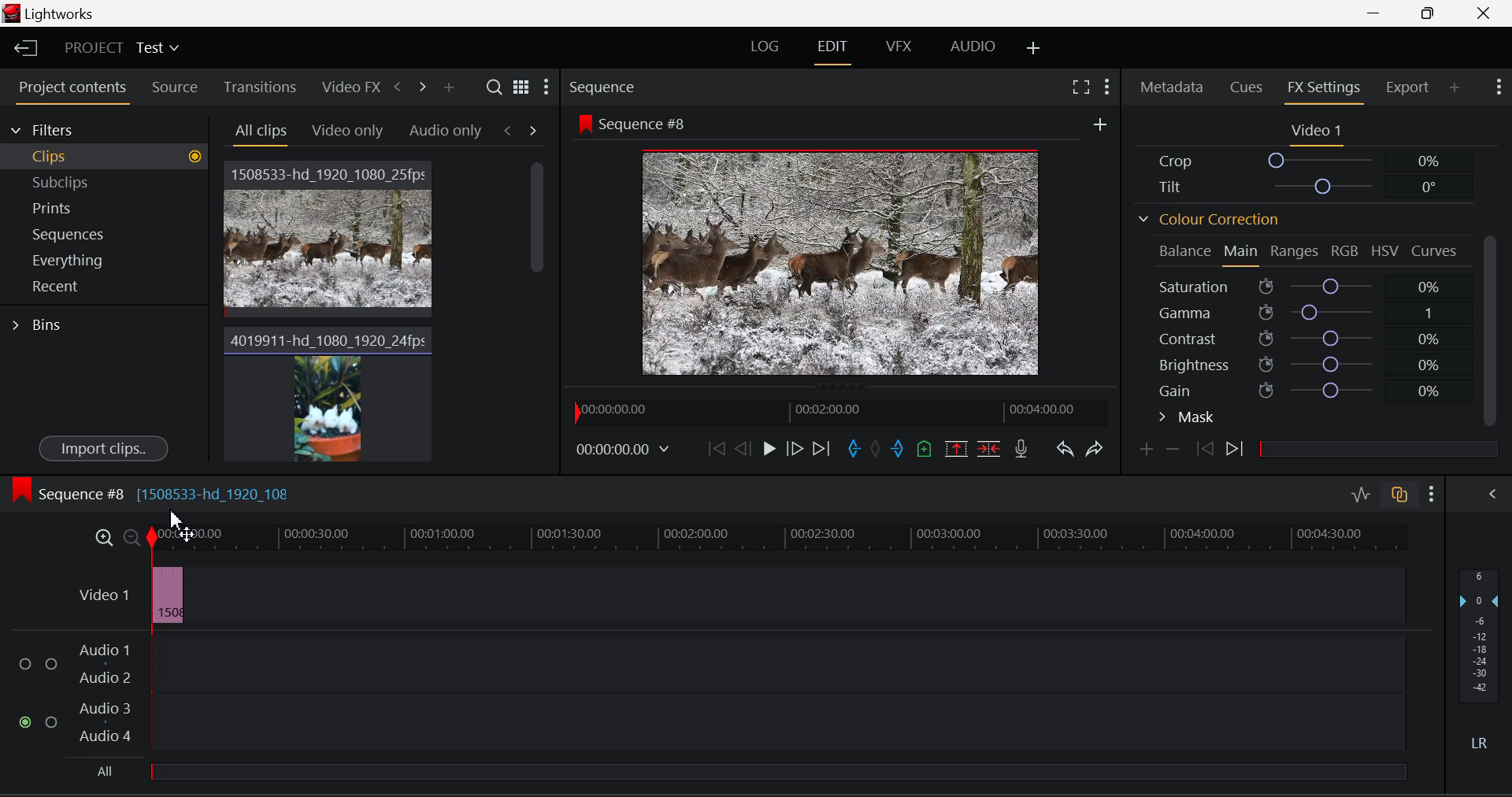 This screenshot has height=797, width=1512. I want to click on Play, so click(770, 450).